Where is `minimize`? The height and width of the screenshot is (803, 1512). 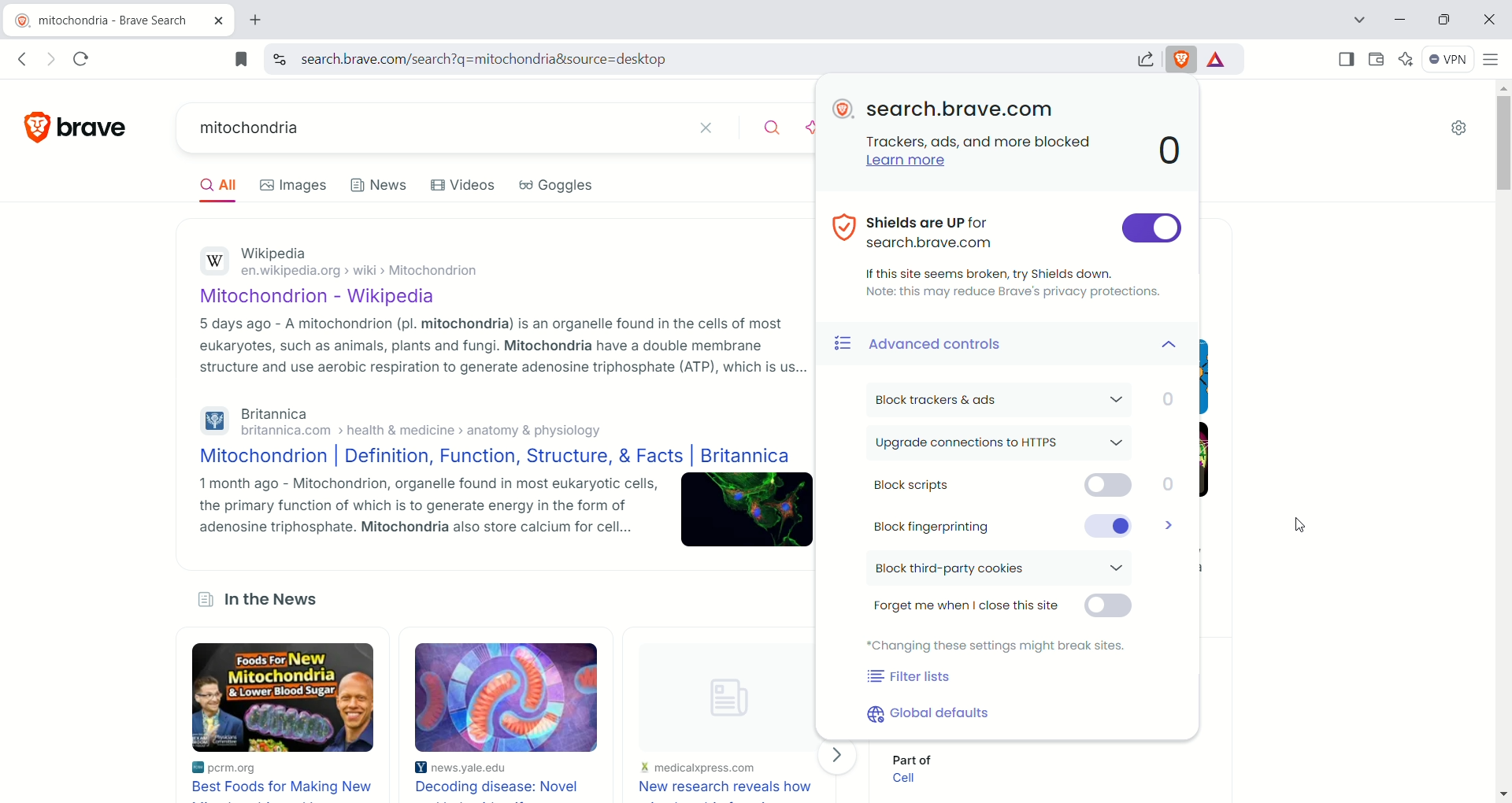 minimize is located at coordinates (1405, 18).